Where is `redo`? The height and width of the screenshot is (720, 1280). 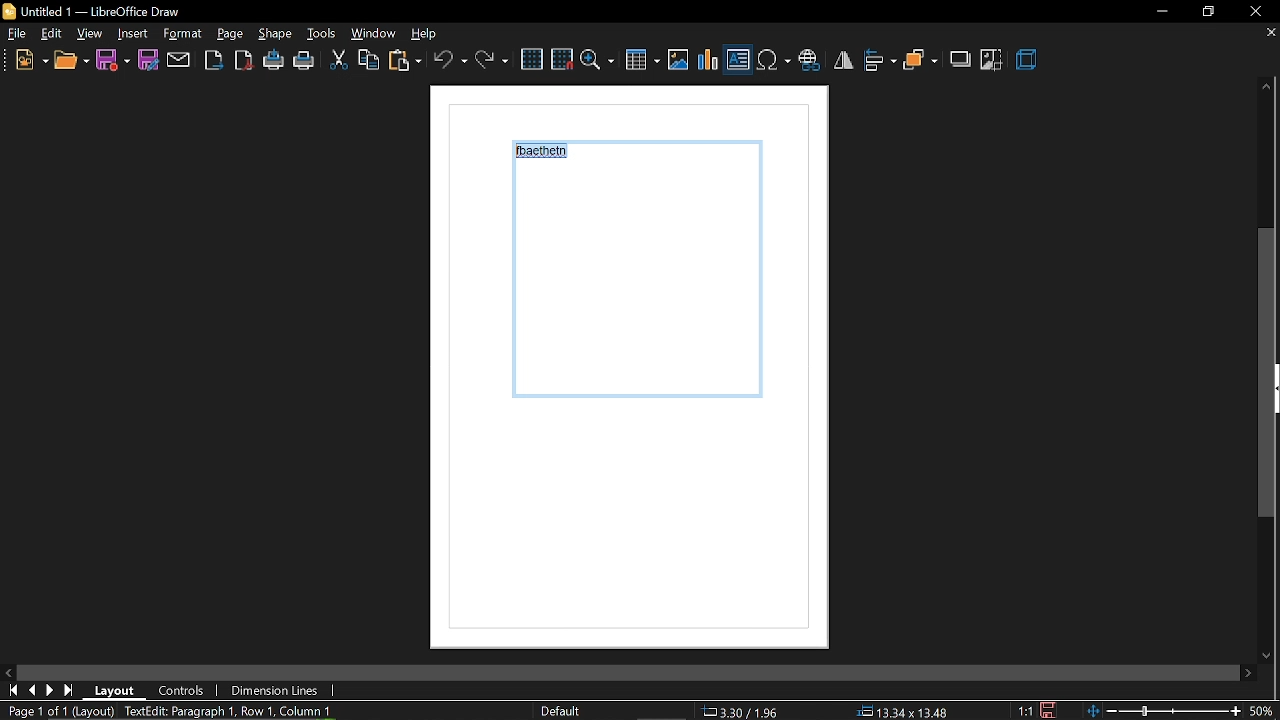
redo is located at coordinates (491, 60).